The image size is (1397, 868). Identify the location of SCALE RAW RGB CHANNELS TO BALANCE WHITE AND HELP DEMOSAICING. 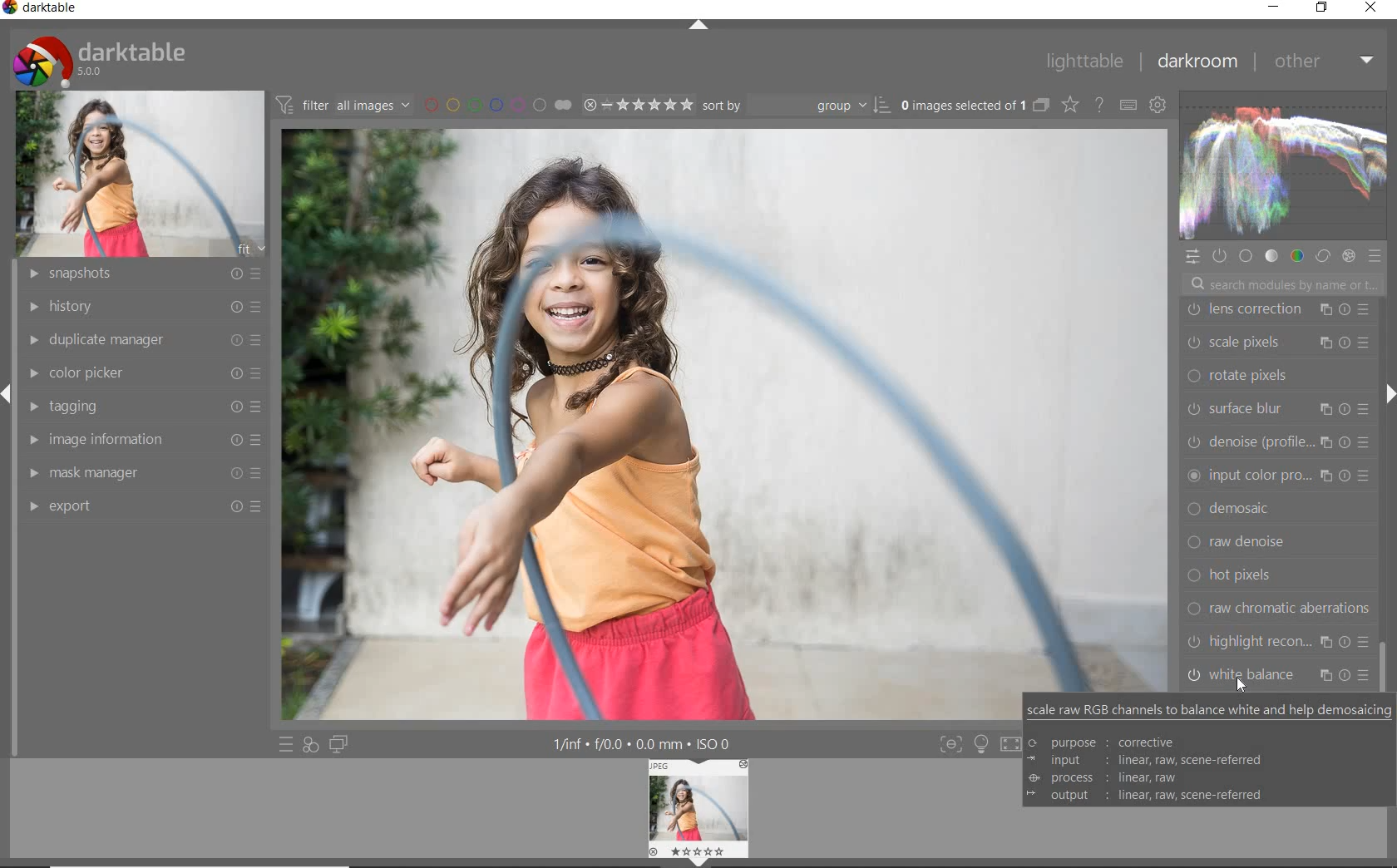
(1207, 752).